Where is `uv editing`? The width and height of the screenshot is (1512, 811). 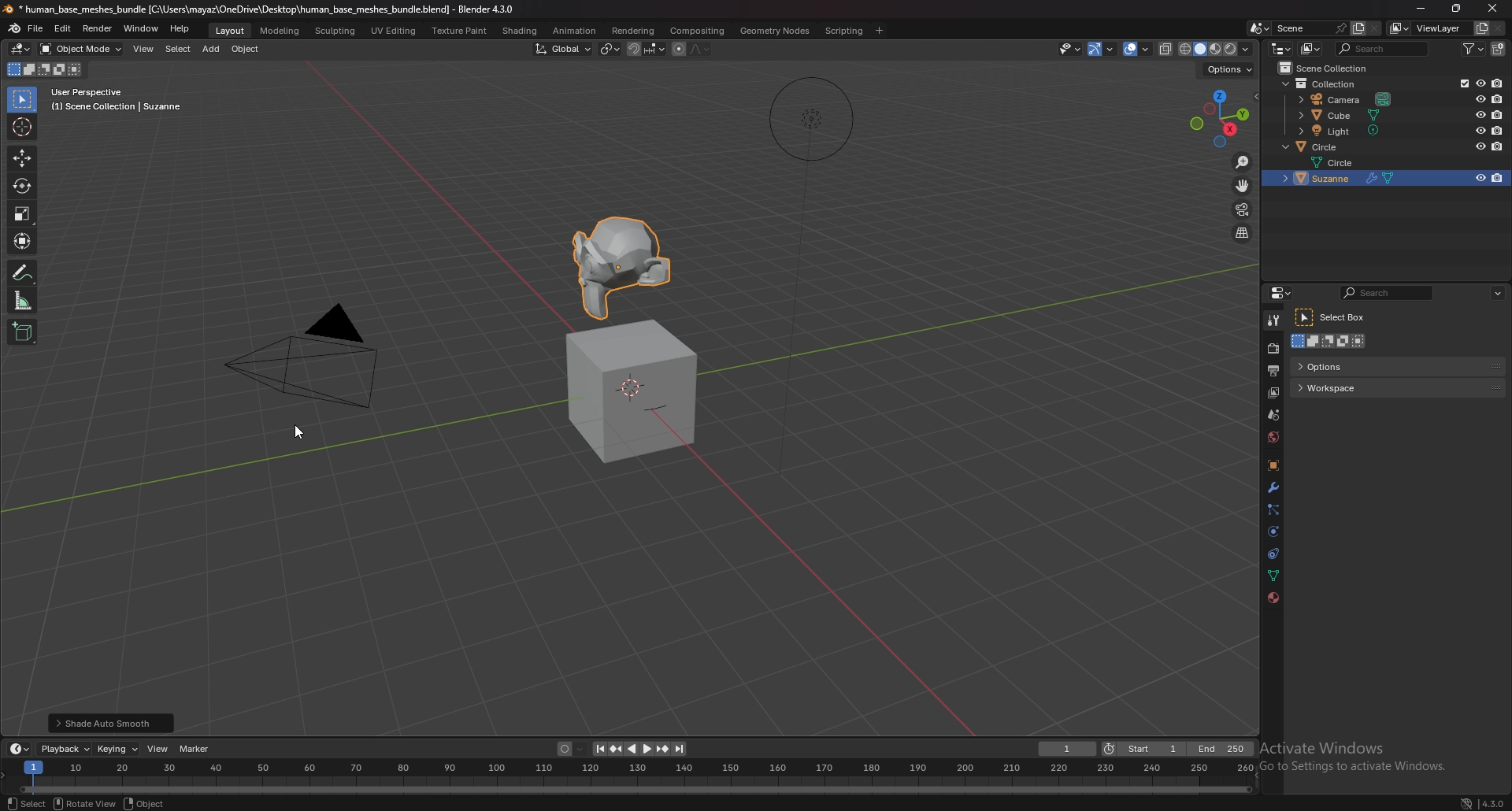
uv editing is located at coordinates (395, 30).